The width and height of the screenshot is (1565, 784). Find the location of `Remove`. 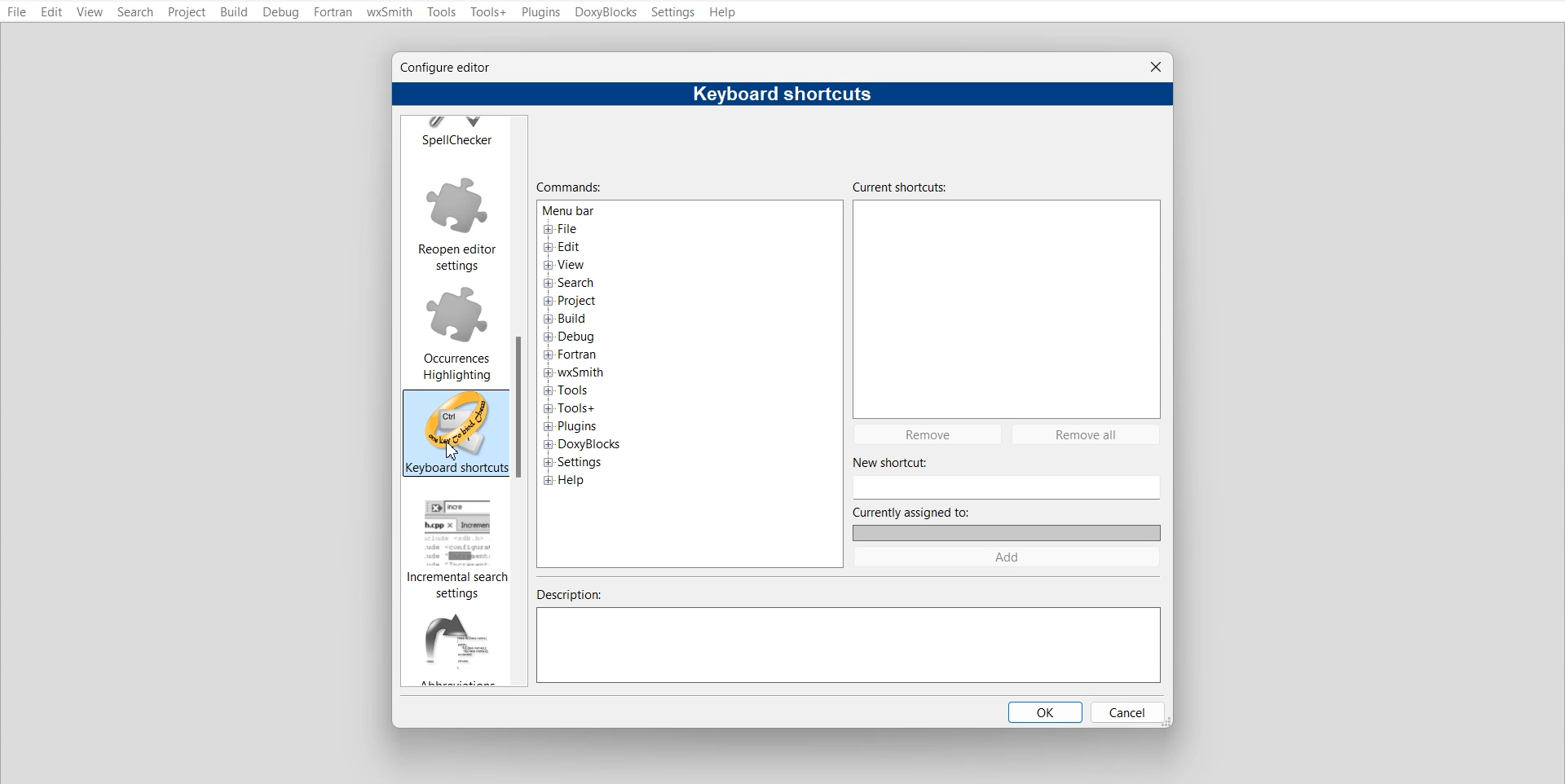

Remove is located at coordinates (927, 434).